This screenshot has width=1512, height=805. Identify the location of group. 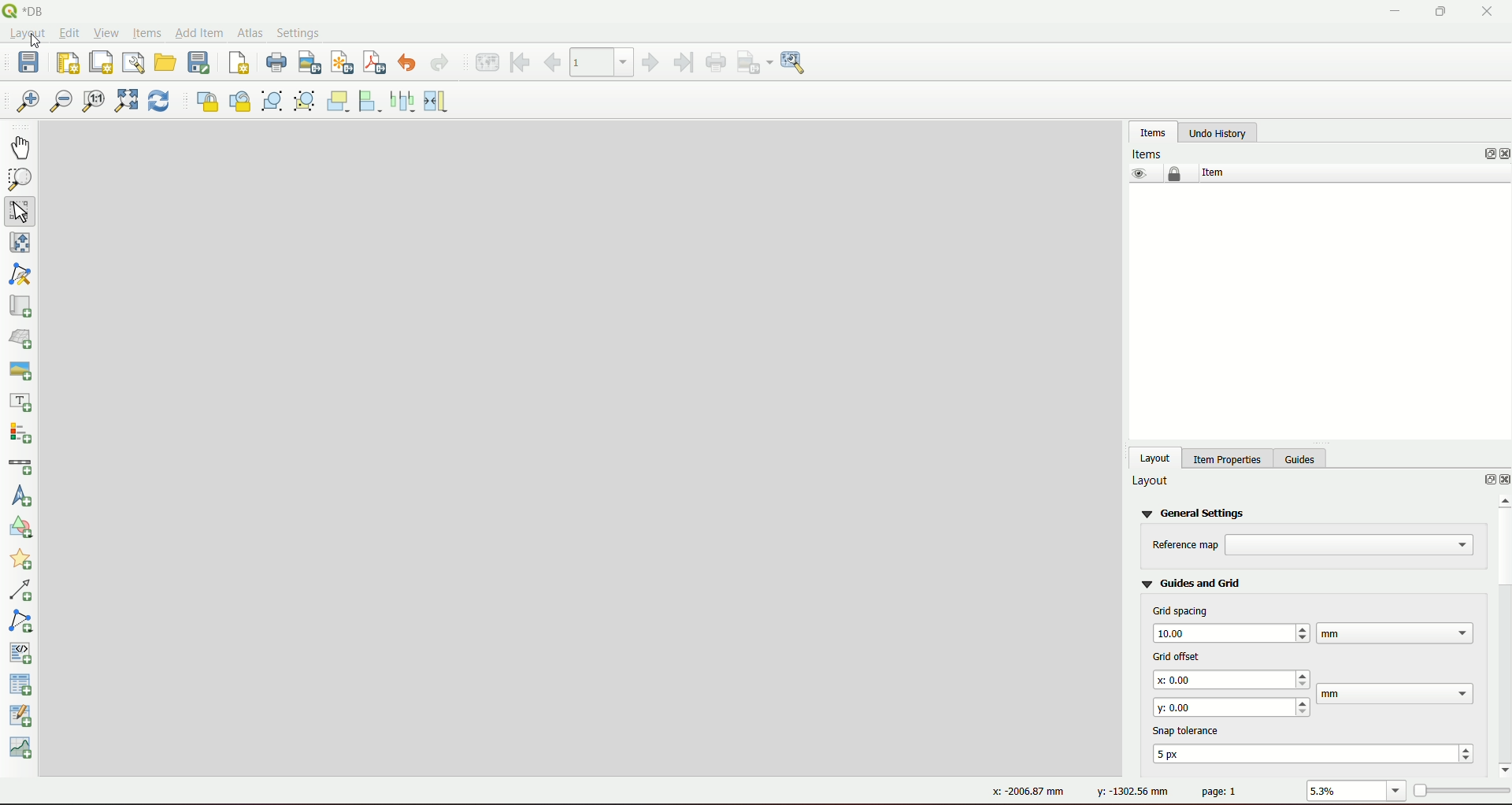
(272, 102).